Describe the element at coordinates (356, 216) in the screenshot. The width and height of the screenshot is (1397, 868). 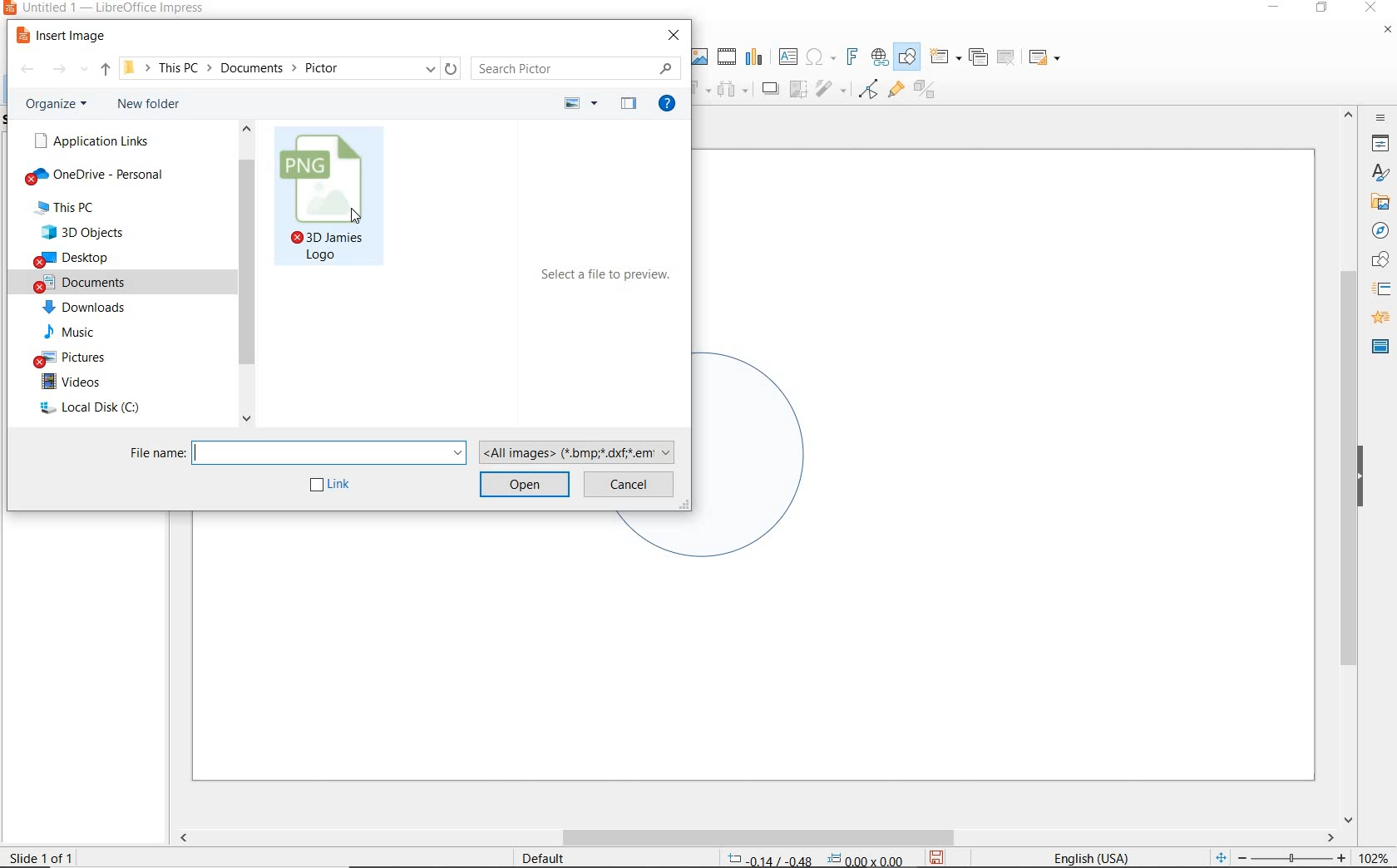
I see `Cursor` at that location.